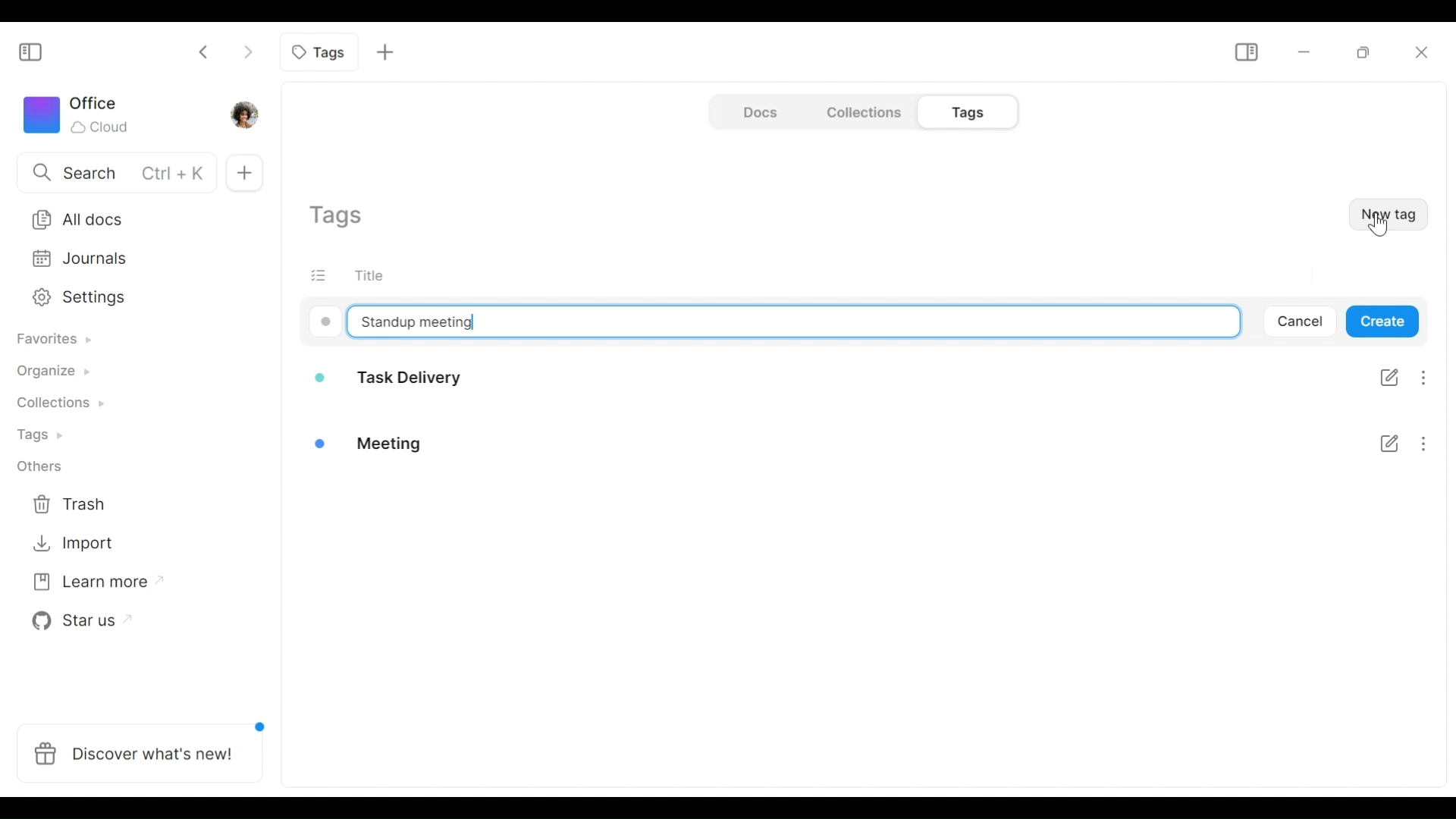 This screenshot has height=819, width=1456. Describe the element at coordinates (133, 262) in the screenshot. I see `Journal` at that location.